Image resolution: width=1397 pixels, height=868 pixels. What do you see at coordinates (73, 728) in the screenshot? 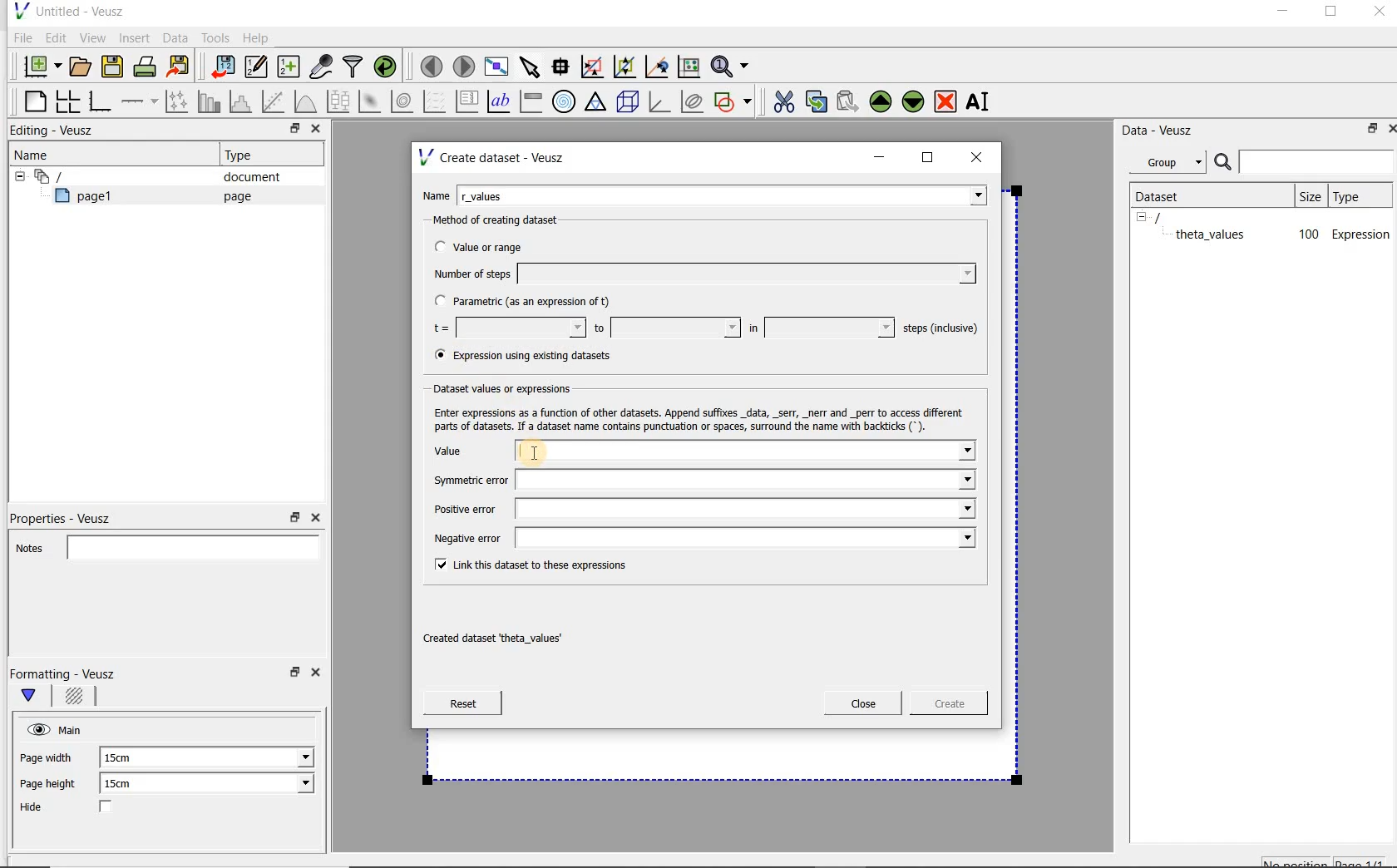
I see `Main` at bounding box center [73, 728].